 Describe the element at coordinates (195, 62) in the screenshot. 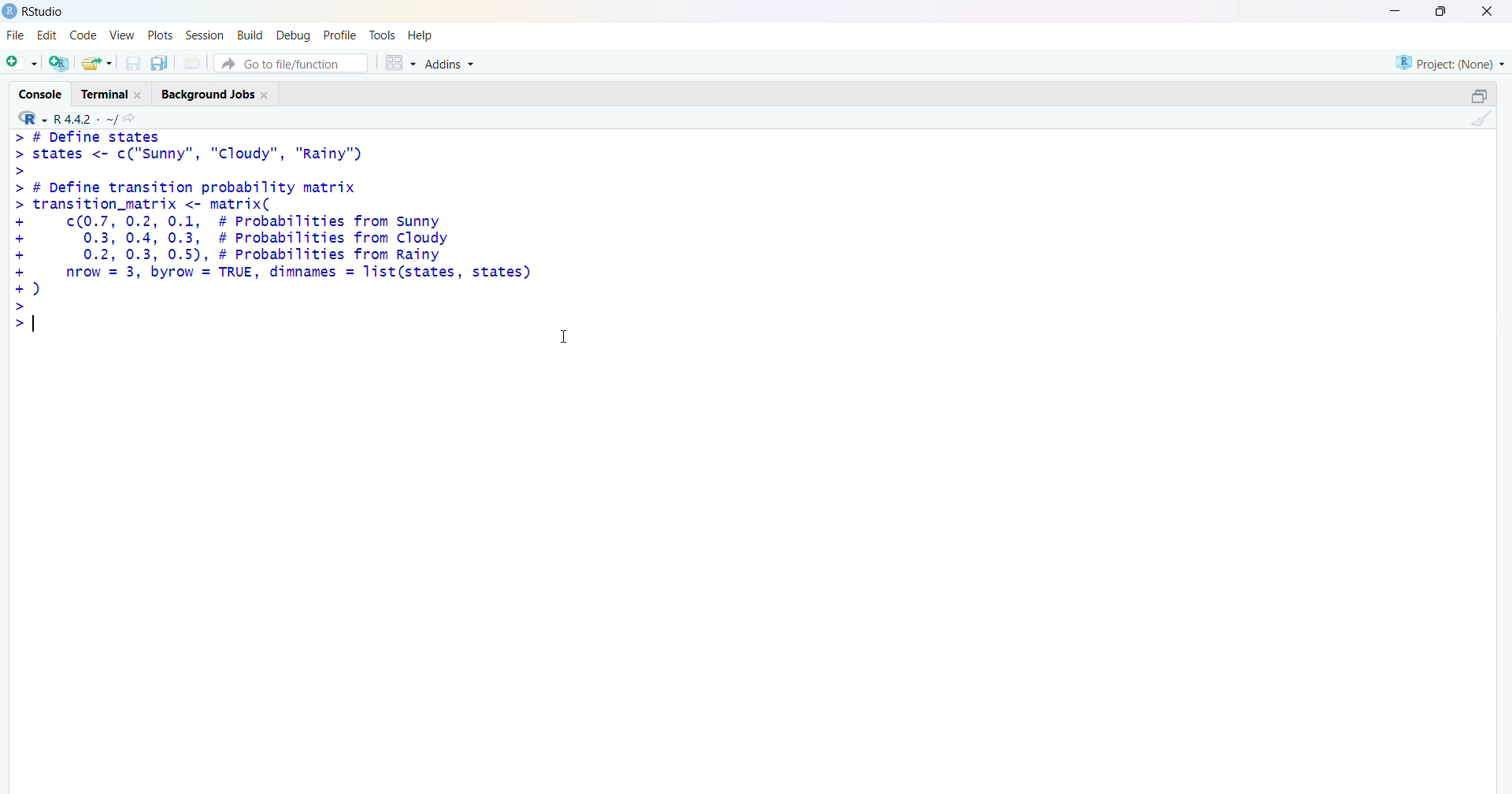

I see `print the current file` at that location.